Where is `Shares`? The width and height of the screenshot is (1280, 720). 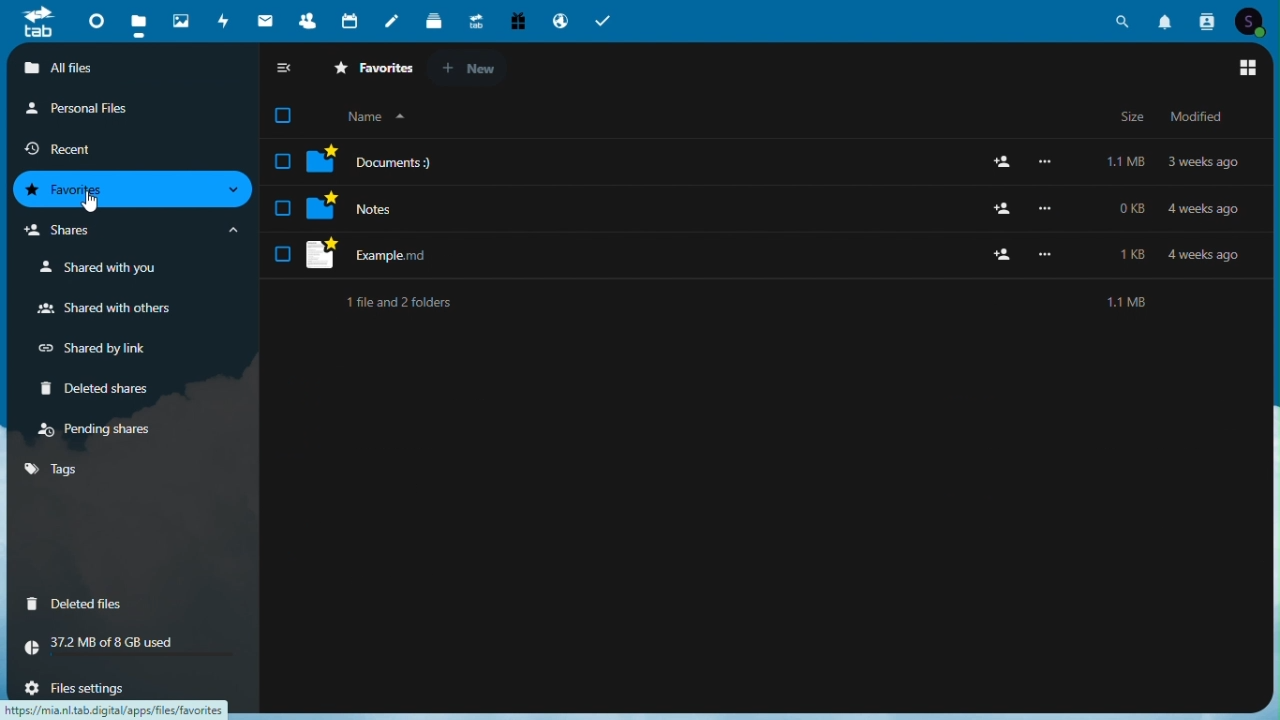
Shares is located at coordinates (79, 232).